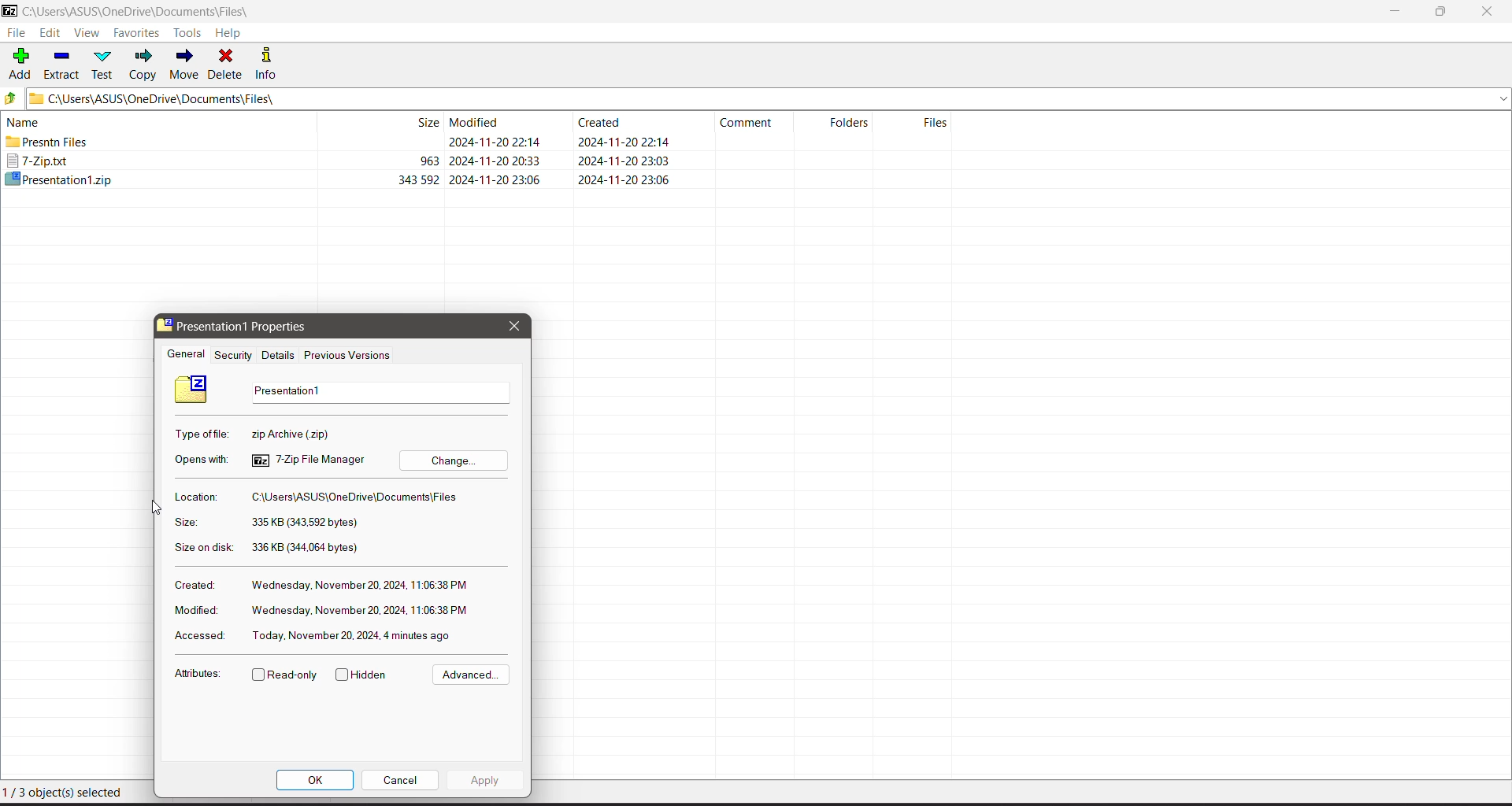 The width and height of the screenshot is (1512, 806). I want to click on Advanced, so click(469, 675).